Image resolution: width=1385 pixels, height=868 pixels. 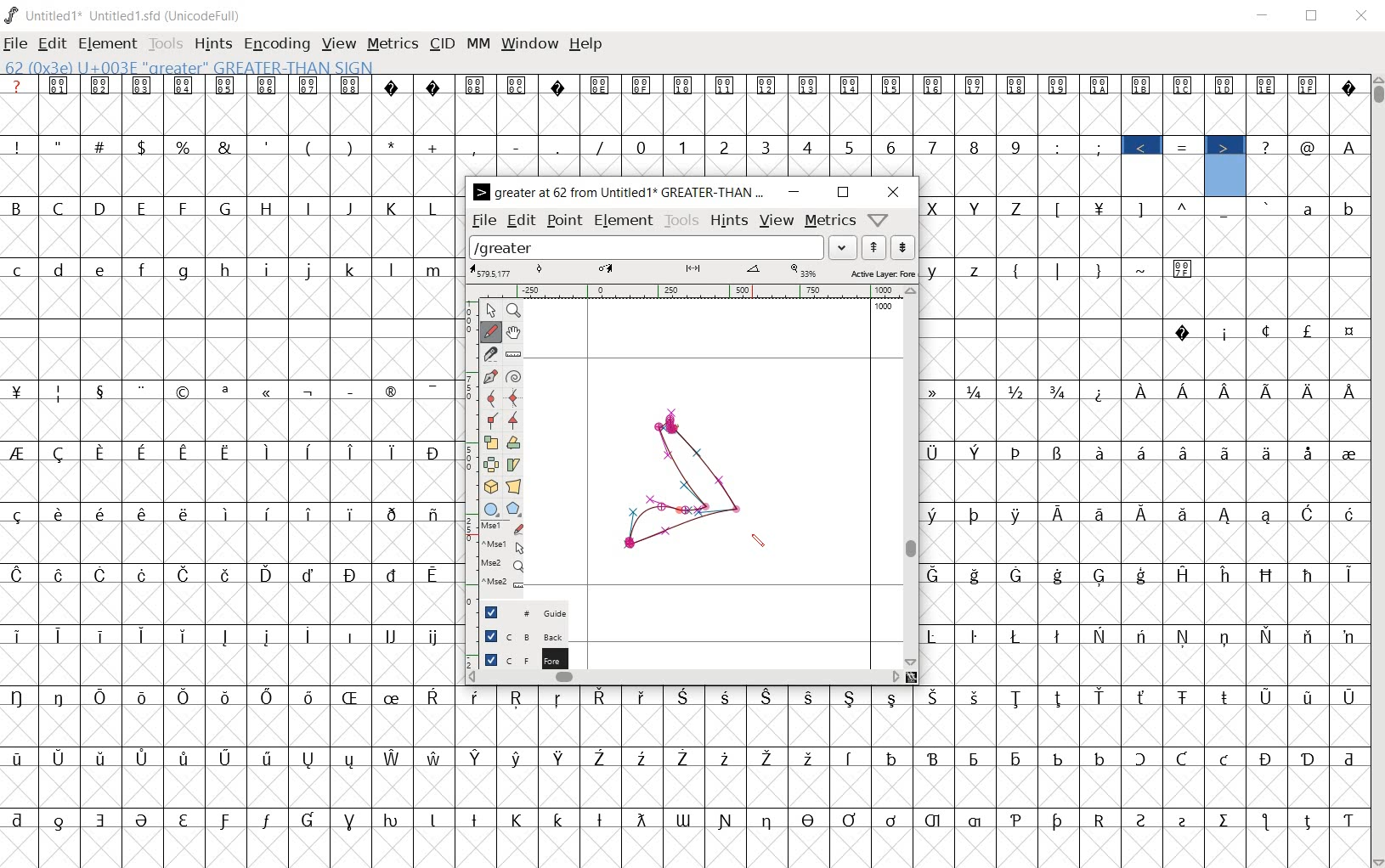 I want to click on guide, so click(x=517, y=611).